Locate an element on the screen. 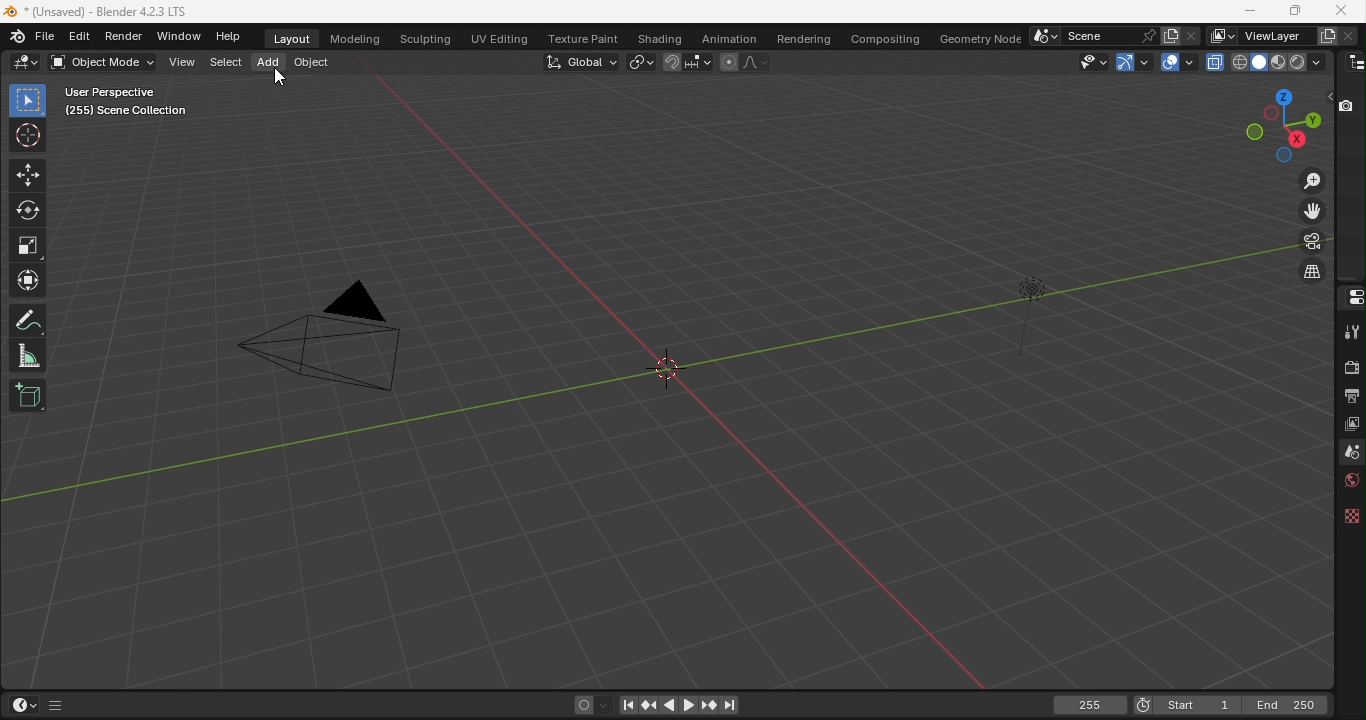 The width and height of the screenshot is (1366, 720). Selectability and visibility is located at coordinates (1091, 62).